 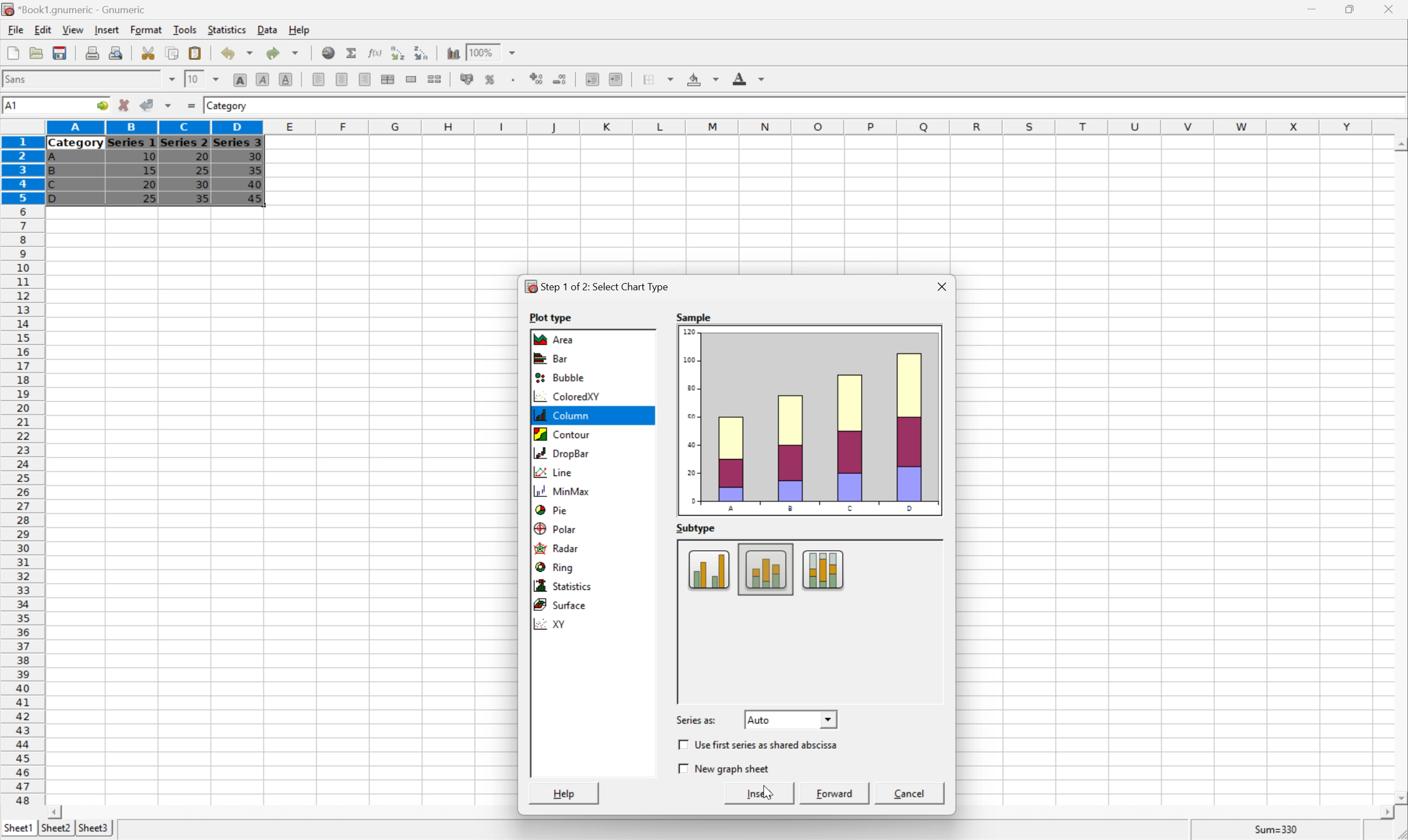 I want to click on Polar, so click(x=557, y=529).